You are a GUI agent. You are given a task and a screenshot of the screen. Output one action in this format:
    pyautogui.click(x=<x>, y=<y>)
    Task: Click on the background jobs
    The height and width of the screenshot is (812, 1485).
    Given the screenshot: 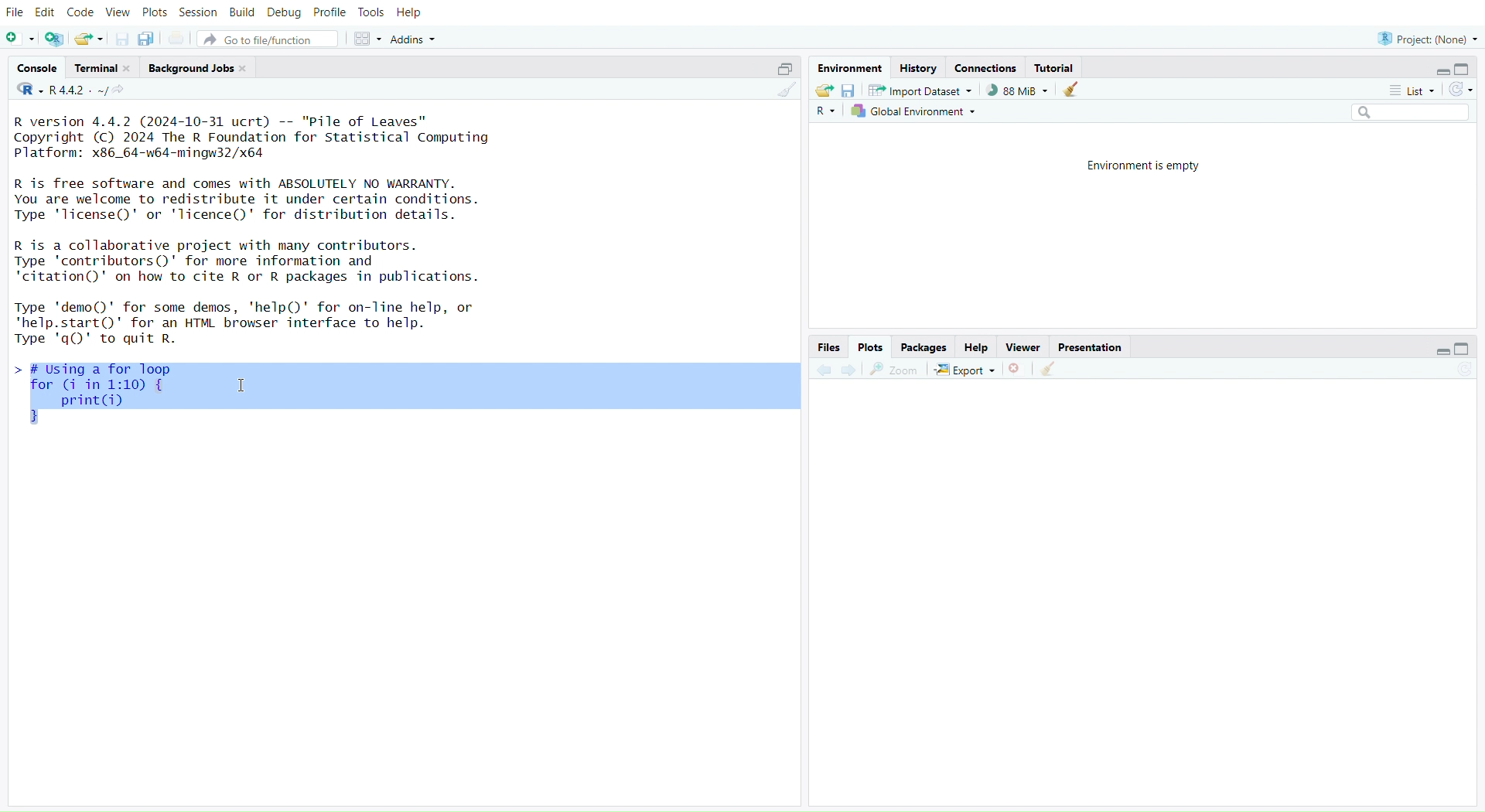 What is the action you would take?
    pyautogui.click(x=198, y=67)
    